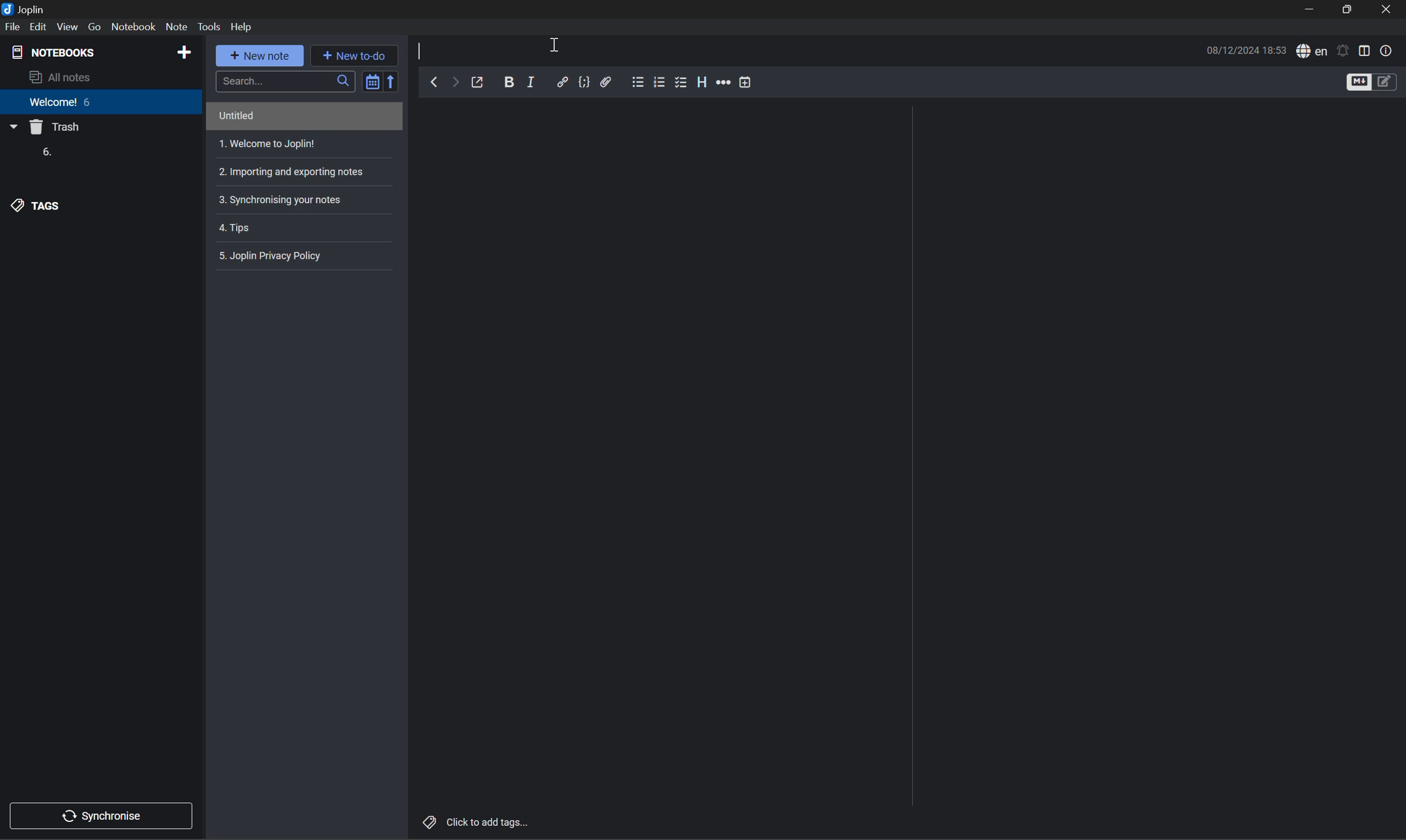  What do you see at coordinates (680, 82) in the screenshot?
I see `Checkbox list` at bounding box center [680, 82].